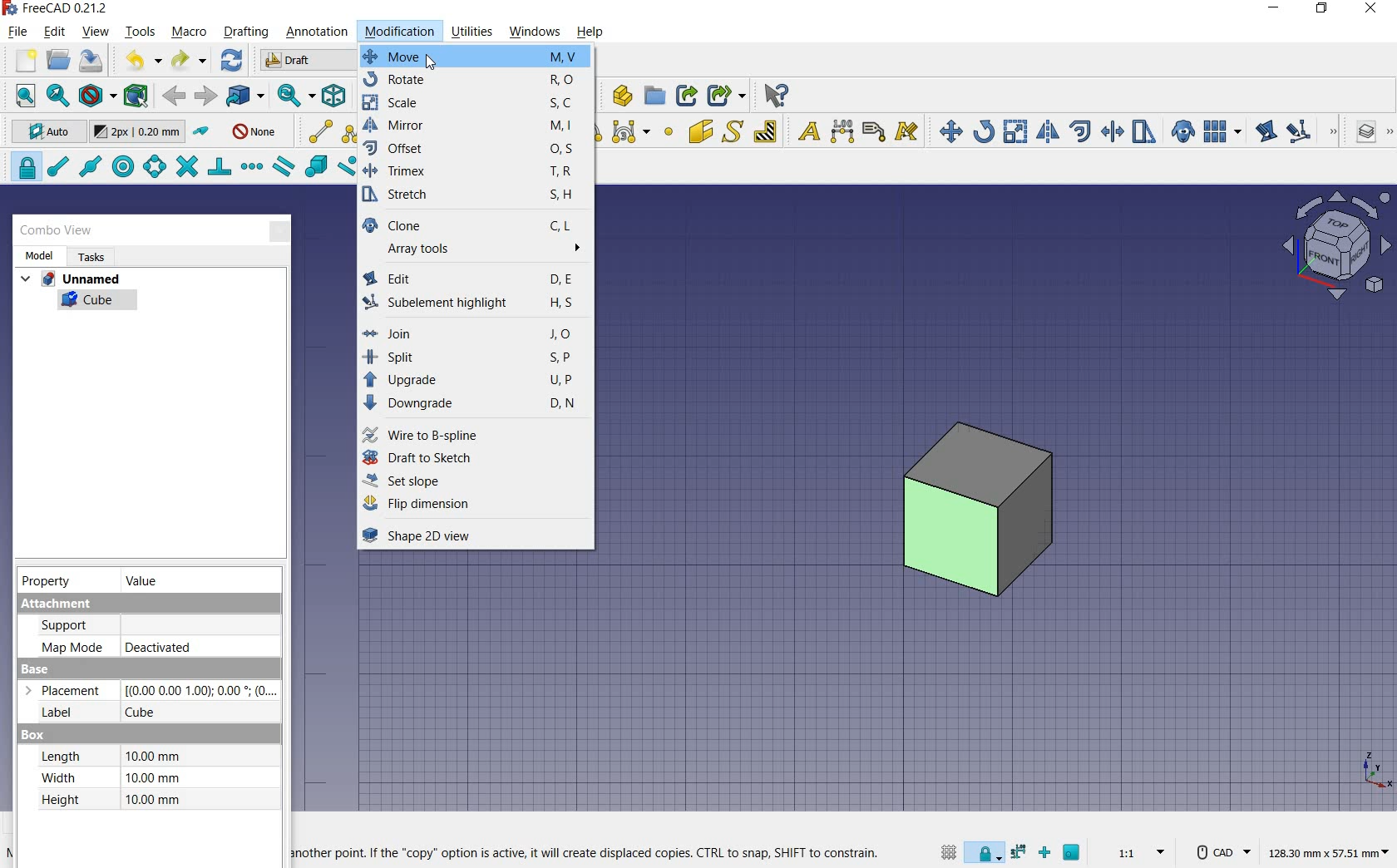 The height and width of the screenshot is (868, 1397). What do you see at coordinates (38, 255) in the screenshot?
I see `model` at bounding box center [38, 255].